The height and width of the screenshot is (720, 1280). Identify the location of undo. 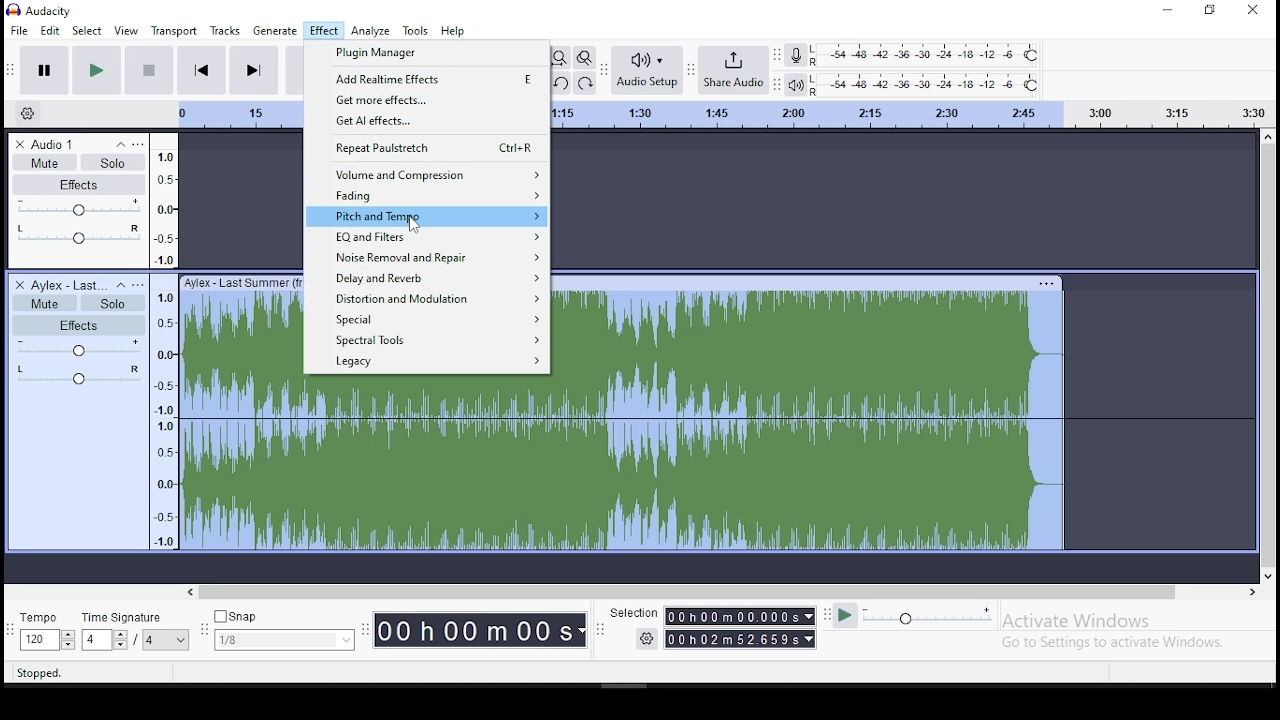
(562, 84).